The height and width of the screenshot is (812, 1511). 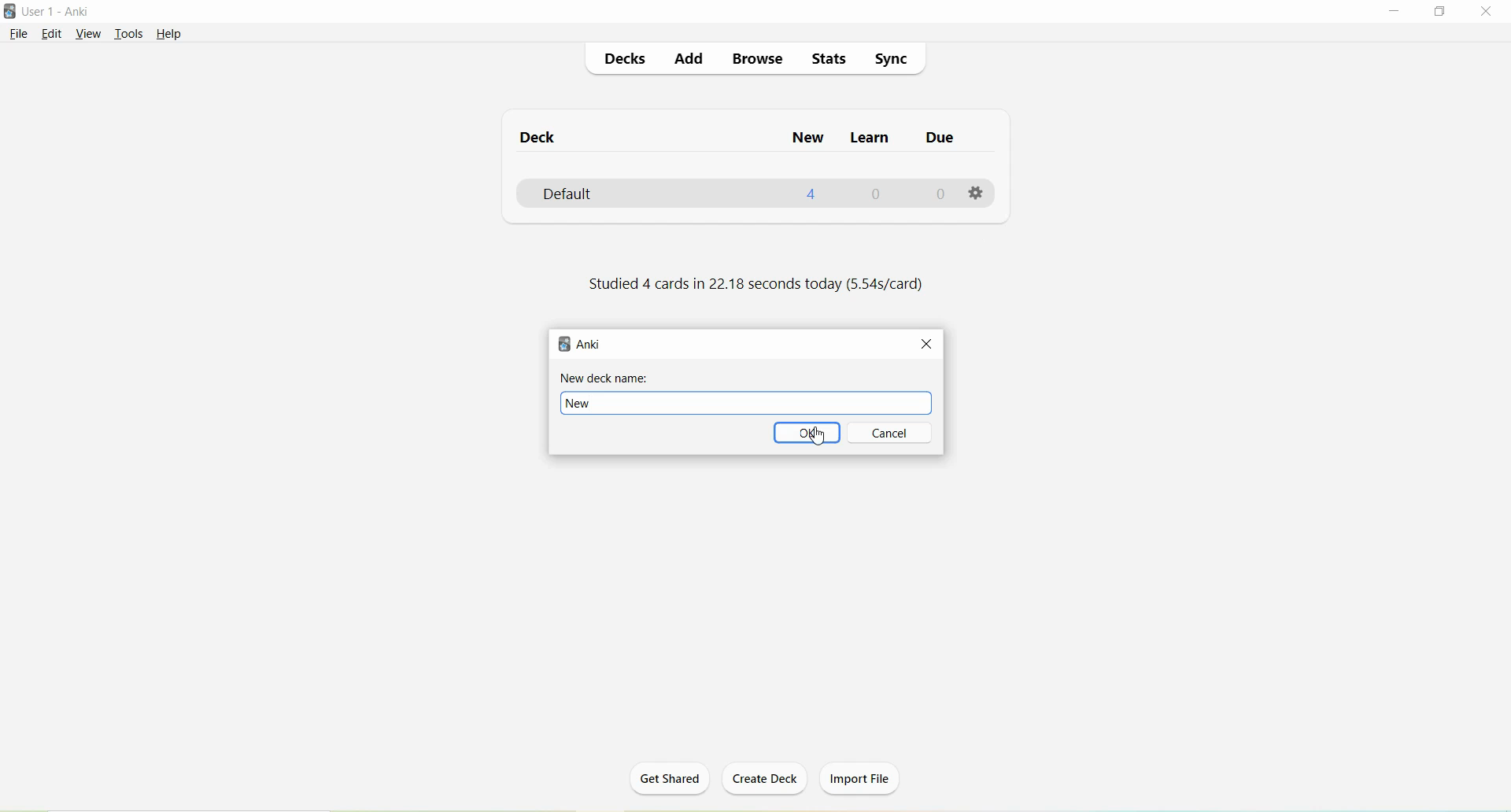 I want to click on Create Deck, so click(x=766, y=780).